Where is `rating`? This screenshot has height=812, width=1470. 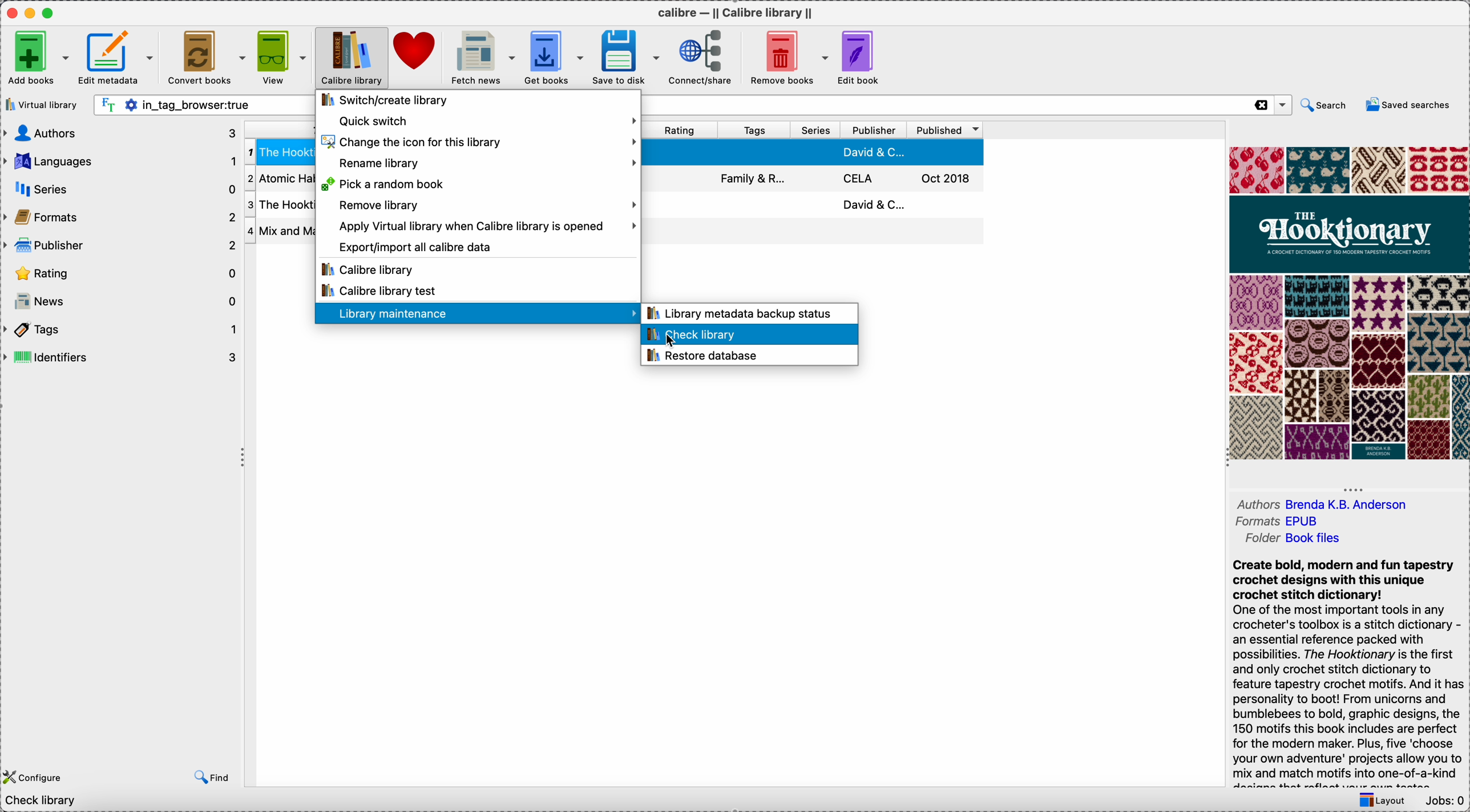
rating is located at coordinates (681, 130).